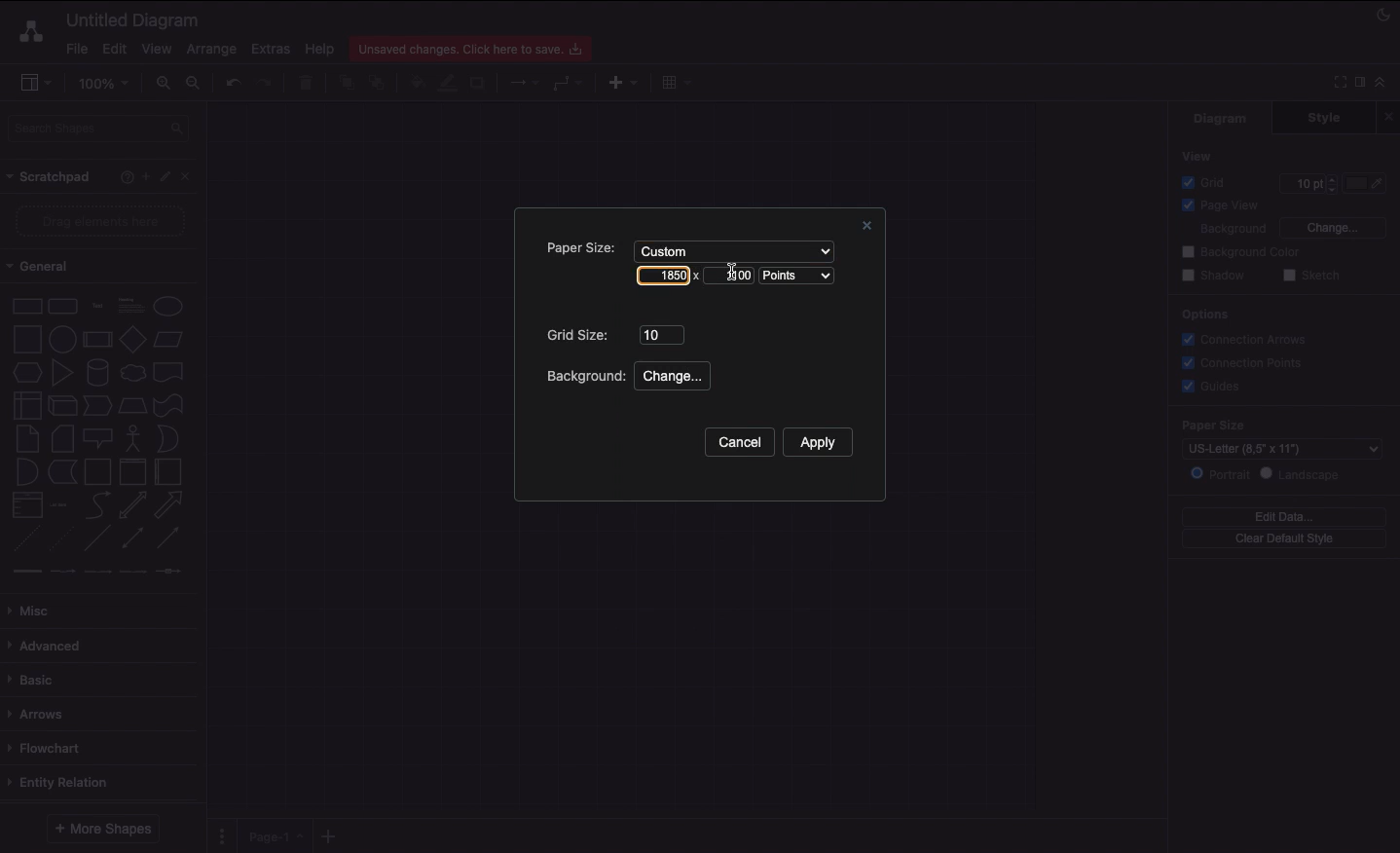 Image resolution: width=1400 pixels, height=853 pixels. Describe the element at coordinates (232, 82) in the screenshot. I see `Undo` at that location.